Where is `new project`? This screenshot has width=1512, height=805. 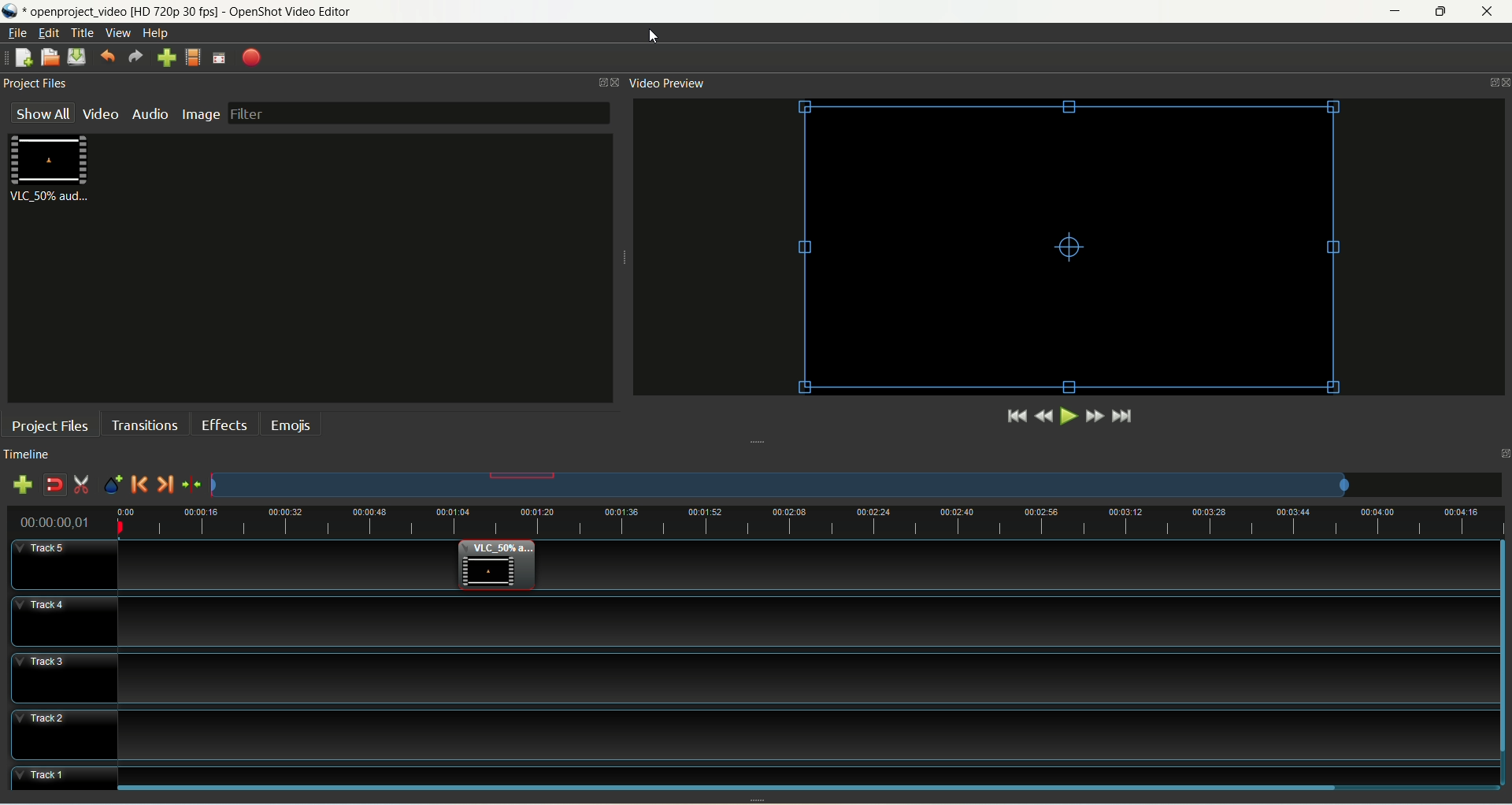
new project is located at coordinates (24, 57).